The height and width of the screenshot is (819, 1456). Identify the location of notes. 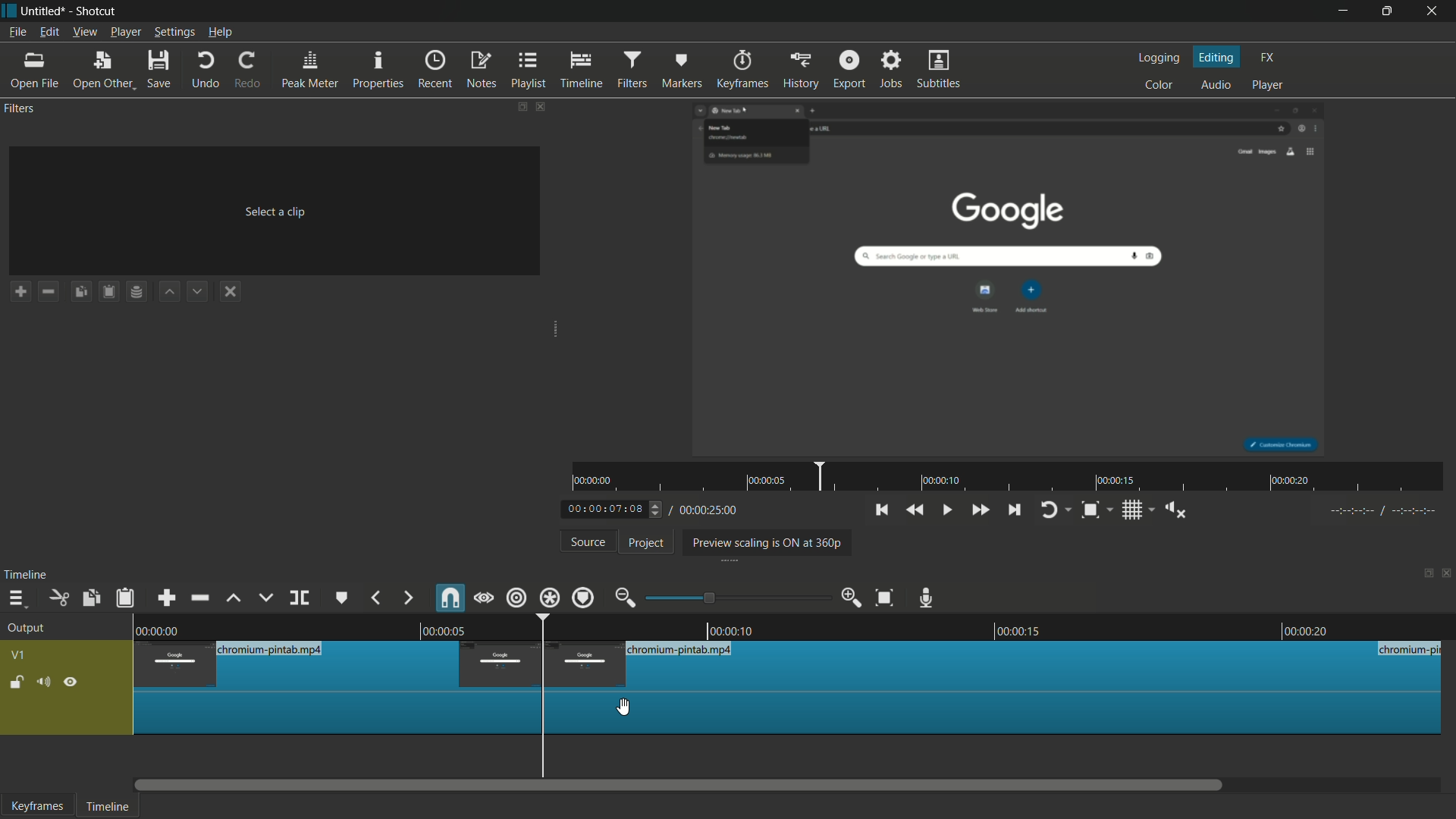
(481, 70).